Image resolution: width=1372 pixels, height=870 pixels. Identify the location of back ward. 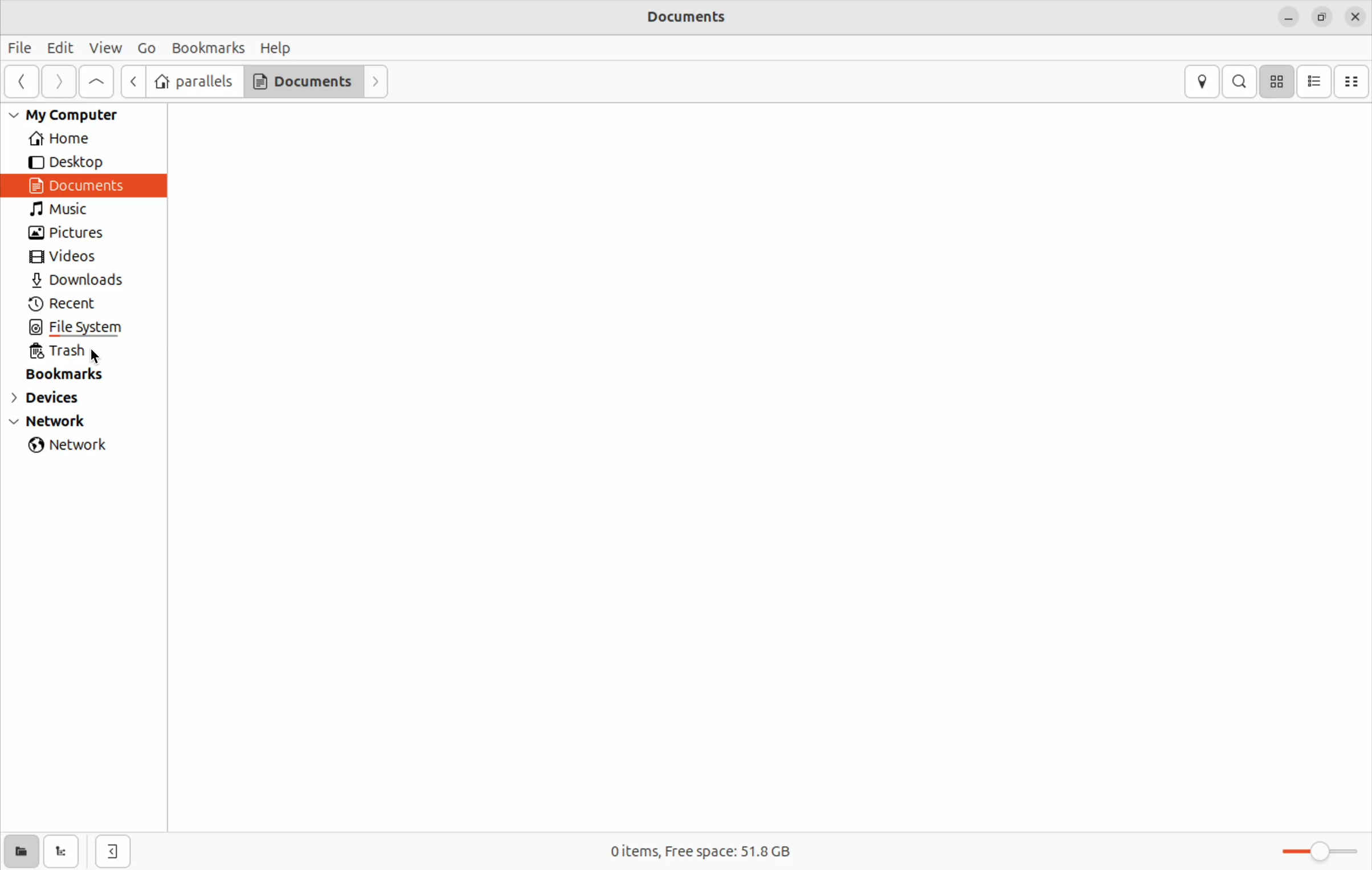
(23, 83).